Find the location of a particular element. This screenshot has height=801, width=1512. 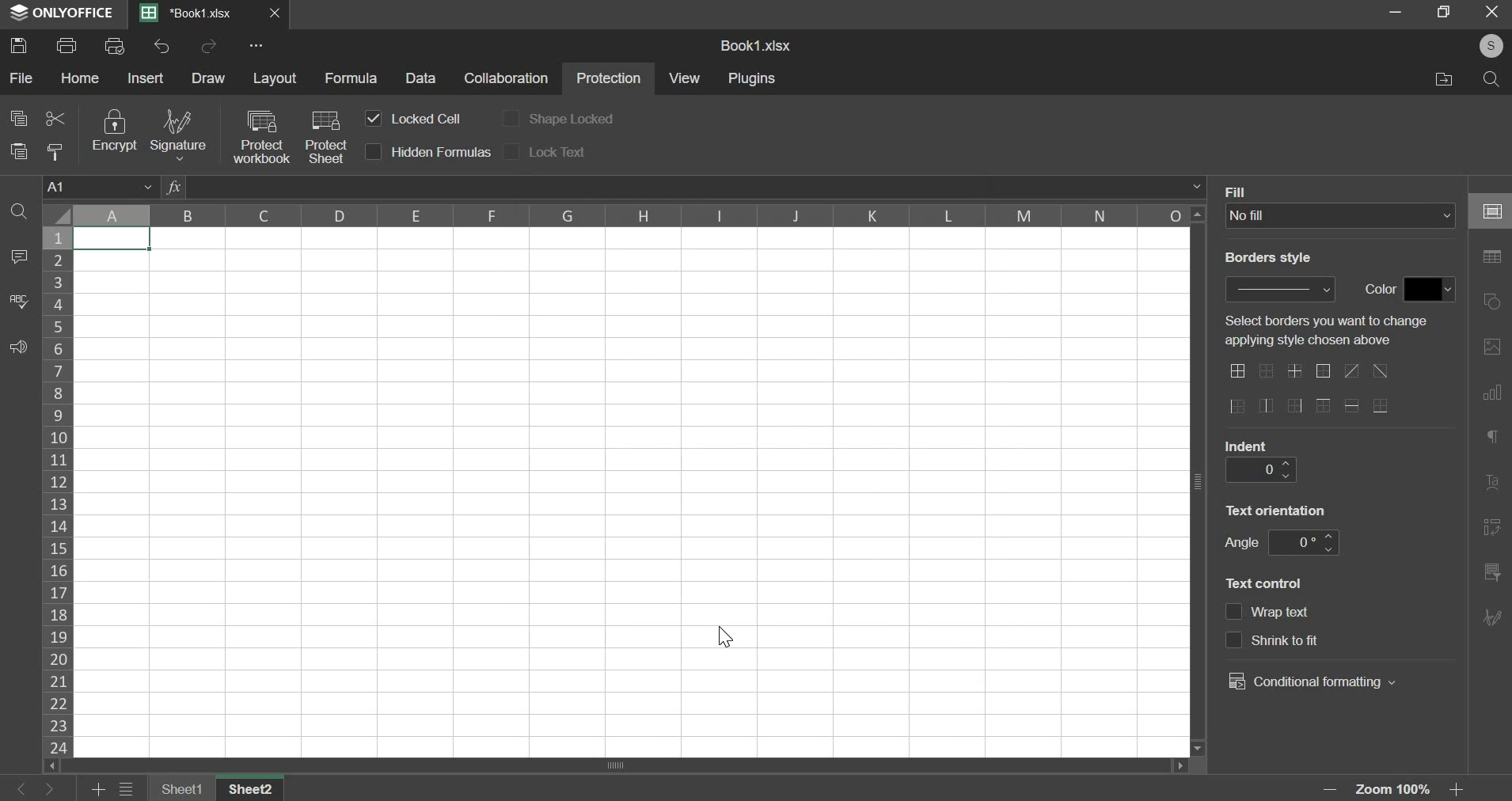

file is located at coordinates (21, 79).